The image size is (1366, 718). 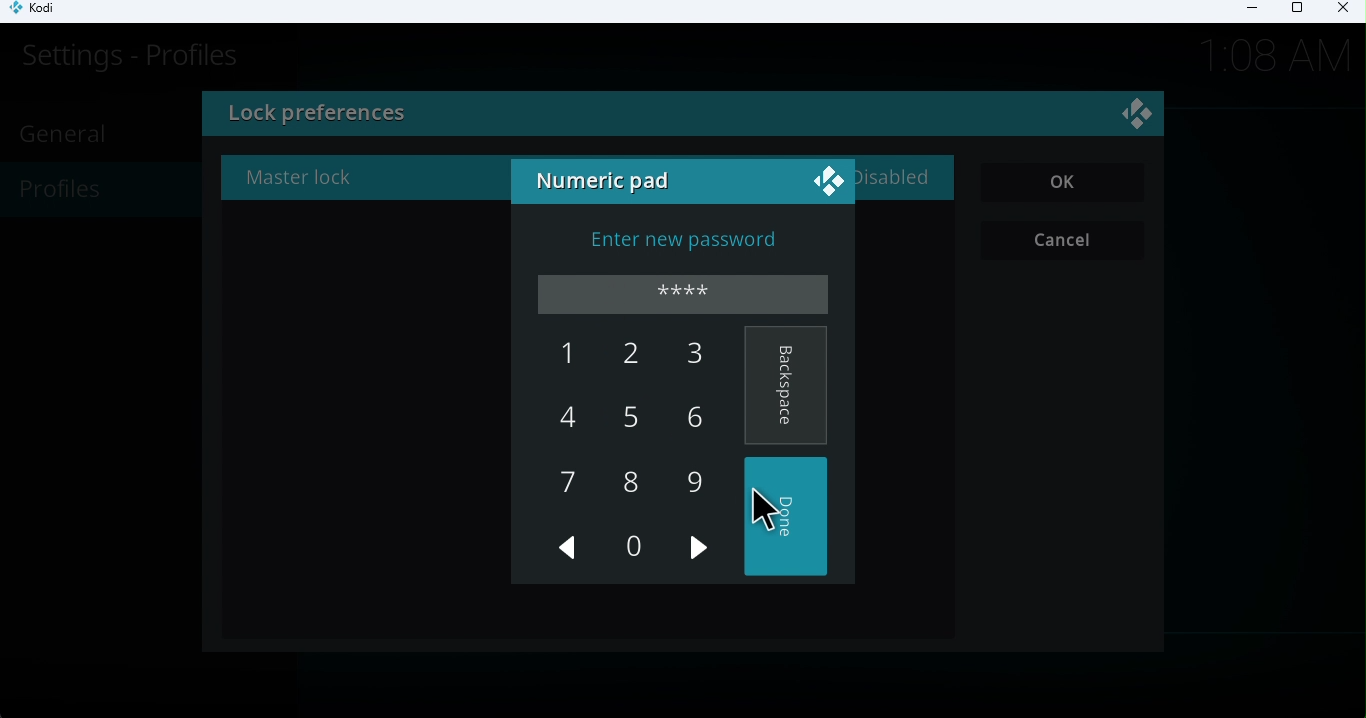 I want to click on Numeric pad, so click(x=607, y=183).